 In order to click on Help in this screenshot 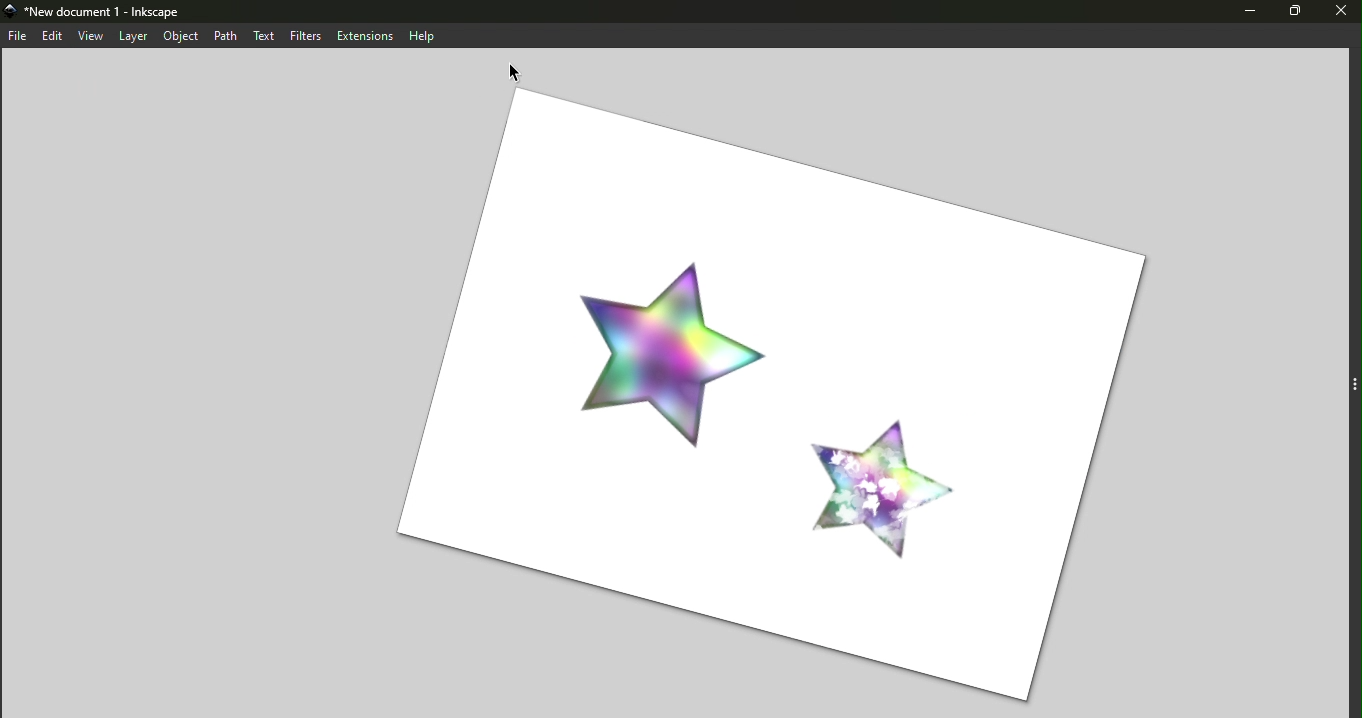, I will do `click(423, 35)`.